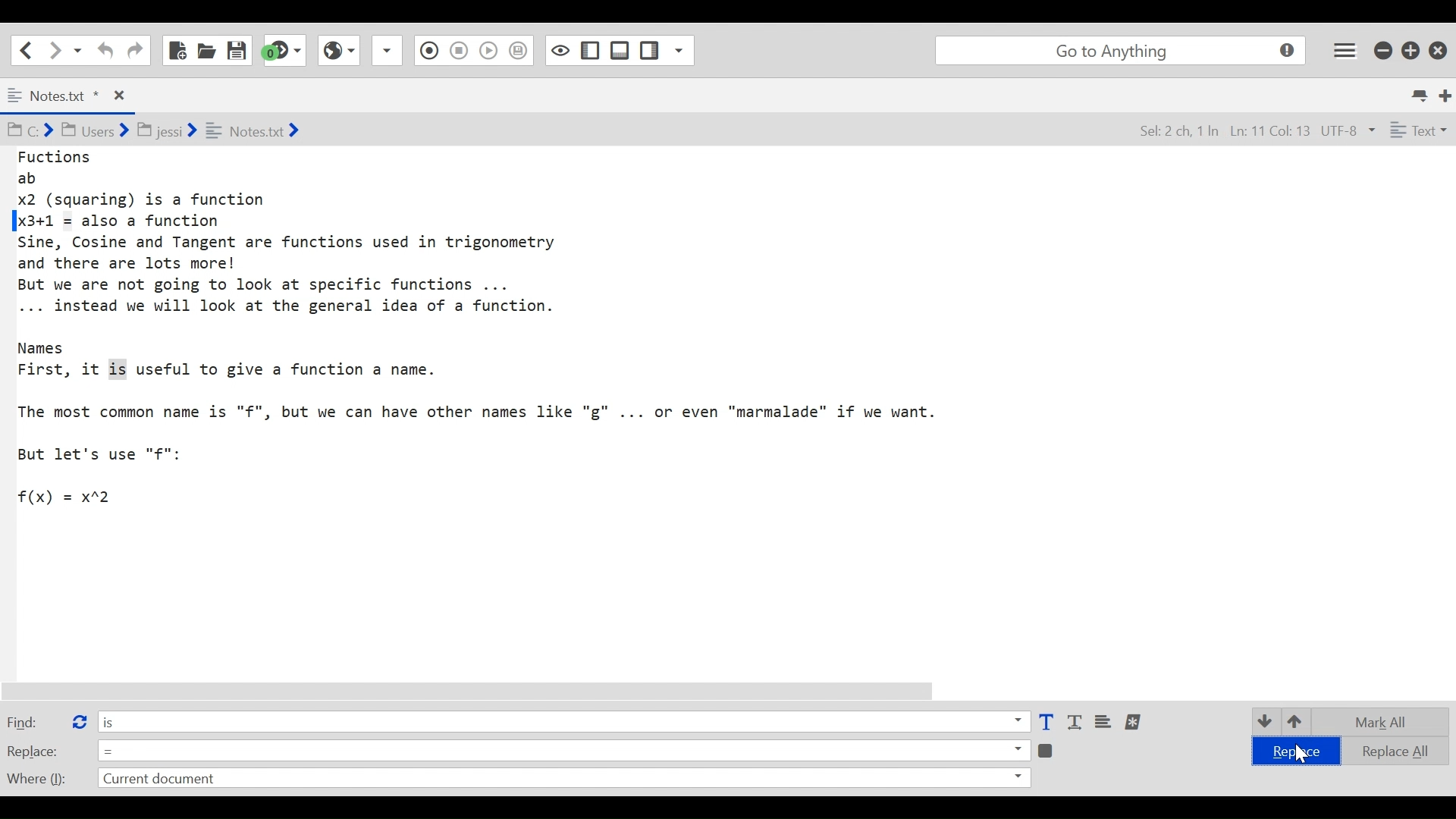 The image size is (1456, 819). I want to click on Ln: 17 Col: 11 UTF-8, so click(1307, 132).